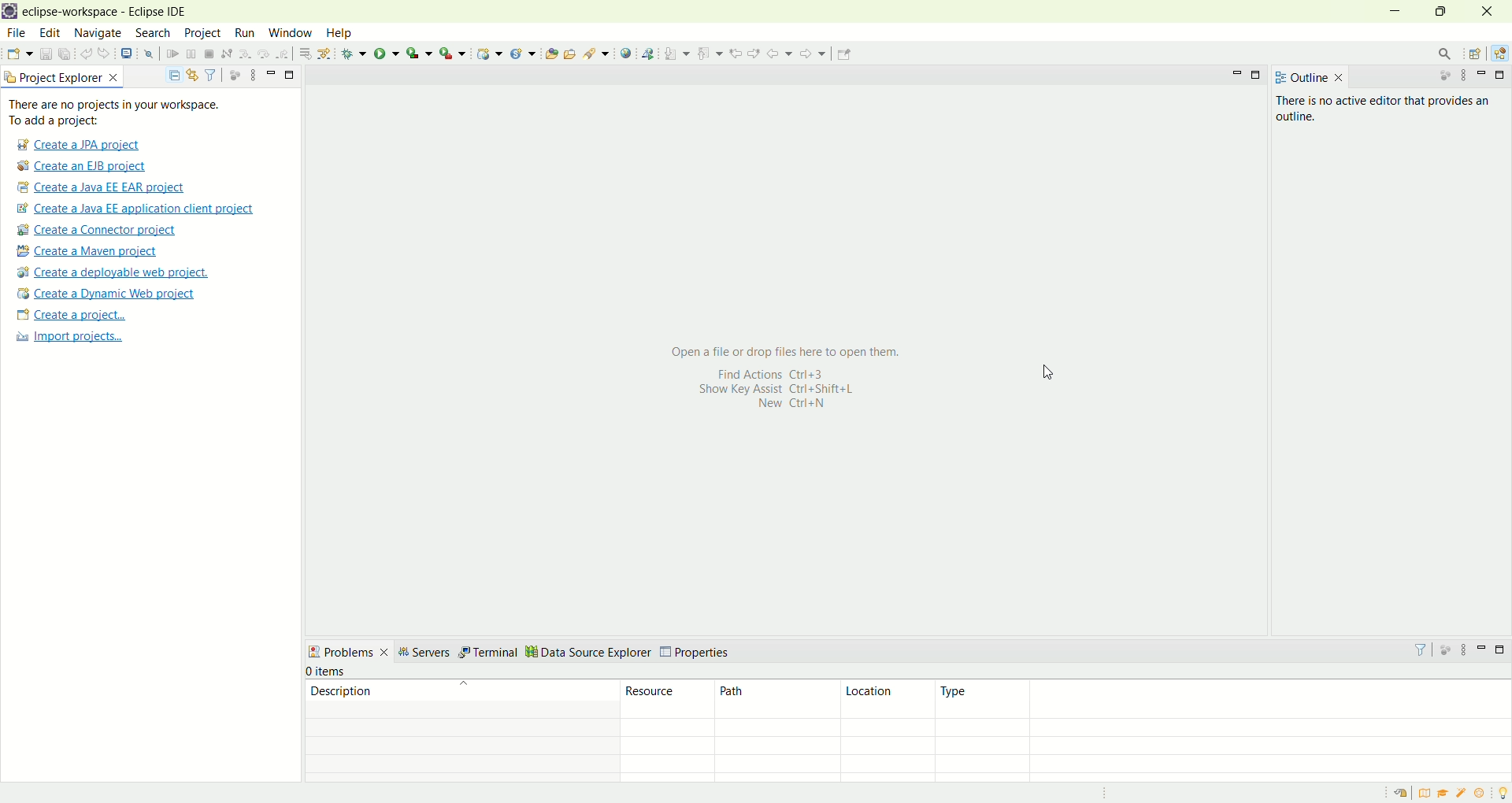  I want to click on coverage, so click(419, 54).